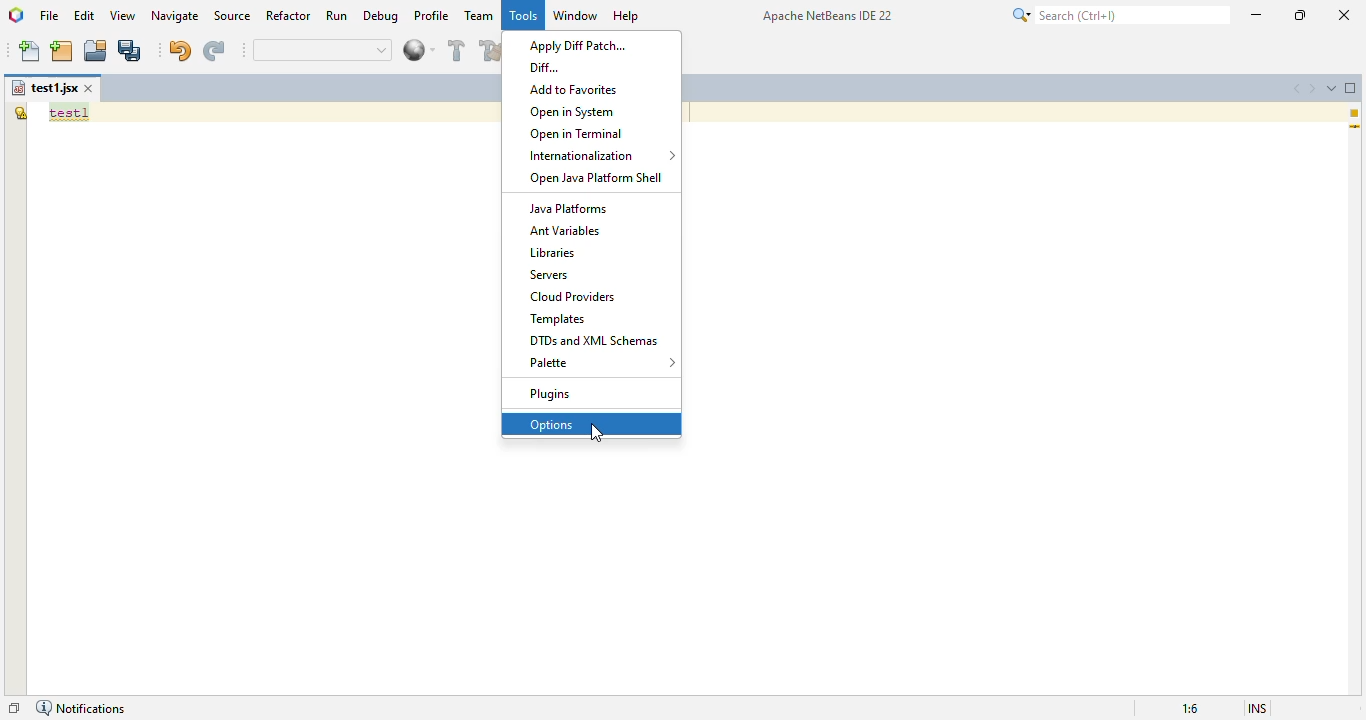 Image resolution: width=1366 pixels, height=720 pixels. Describe the element at coordinates (175, 15) in the screenshot. I see `navigate` at that location.